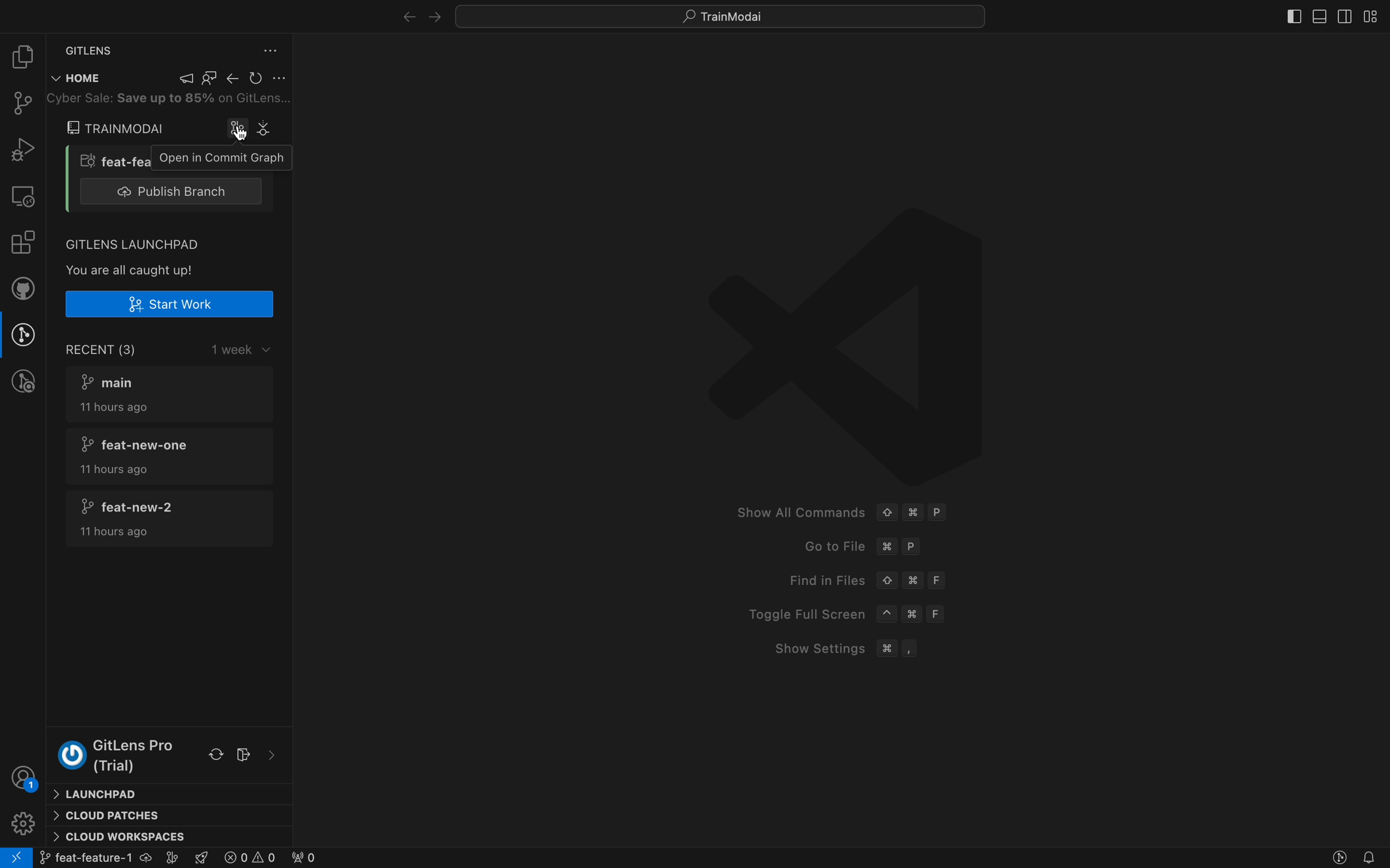 This screenshot has height=868, width=1390. Describe the element at coordinates (90, 159) in the screenshot. I see `branch` at that location.